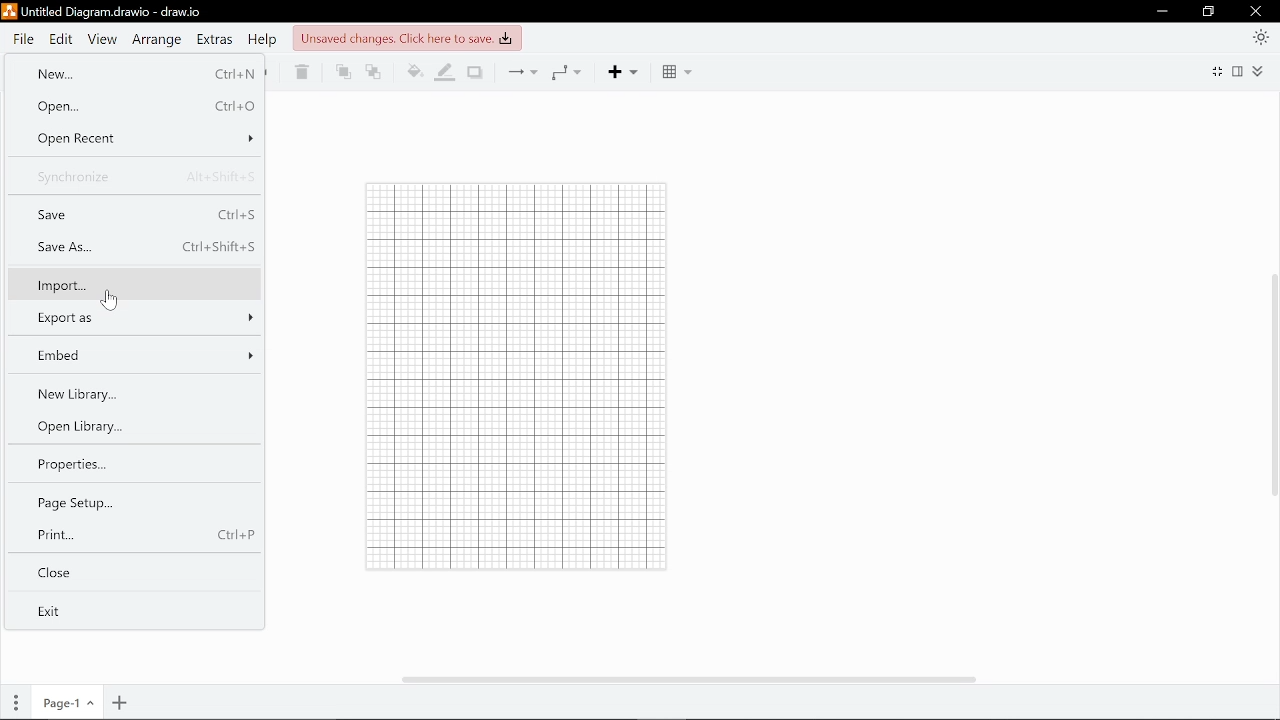 This screenshot has height=720, width=1280. Describe the element at coordinates (63, 704) in the screenshot. I see `Current page` at that location.